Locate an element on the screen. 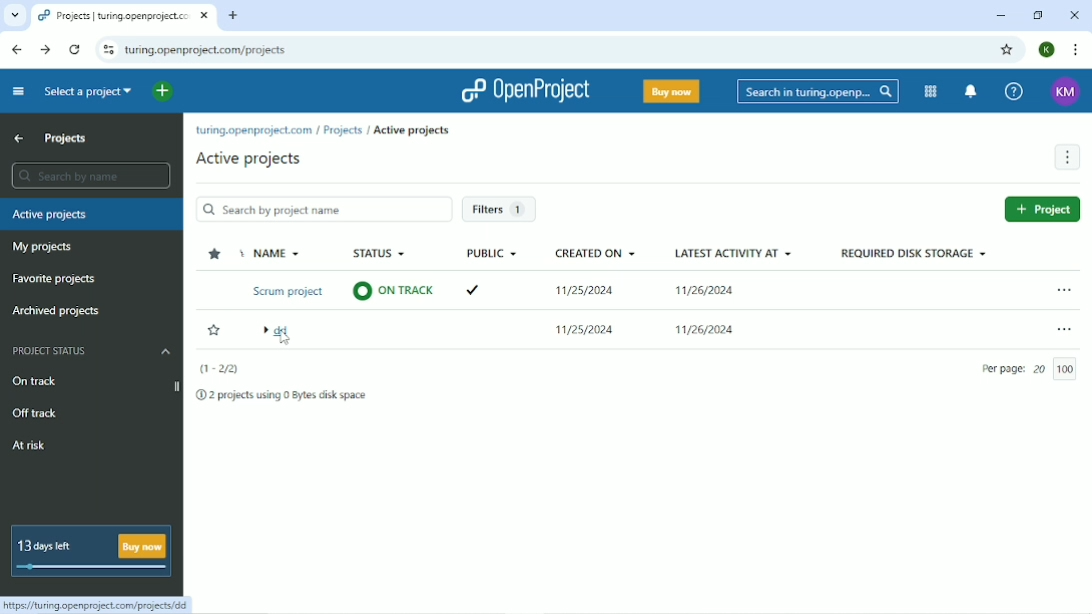 This screenshot has width=1092, height=614. Search in turing.openprojects.com is located at coordinates (818, 92).